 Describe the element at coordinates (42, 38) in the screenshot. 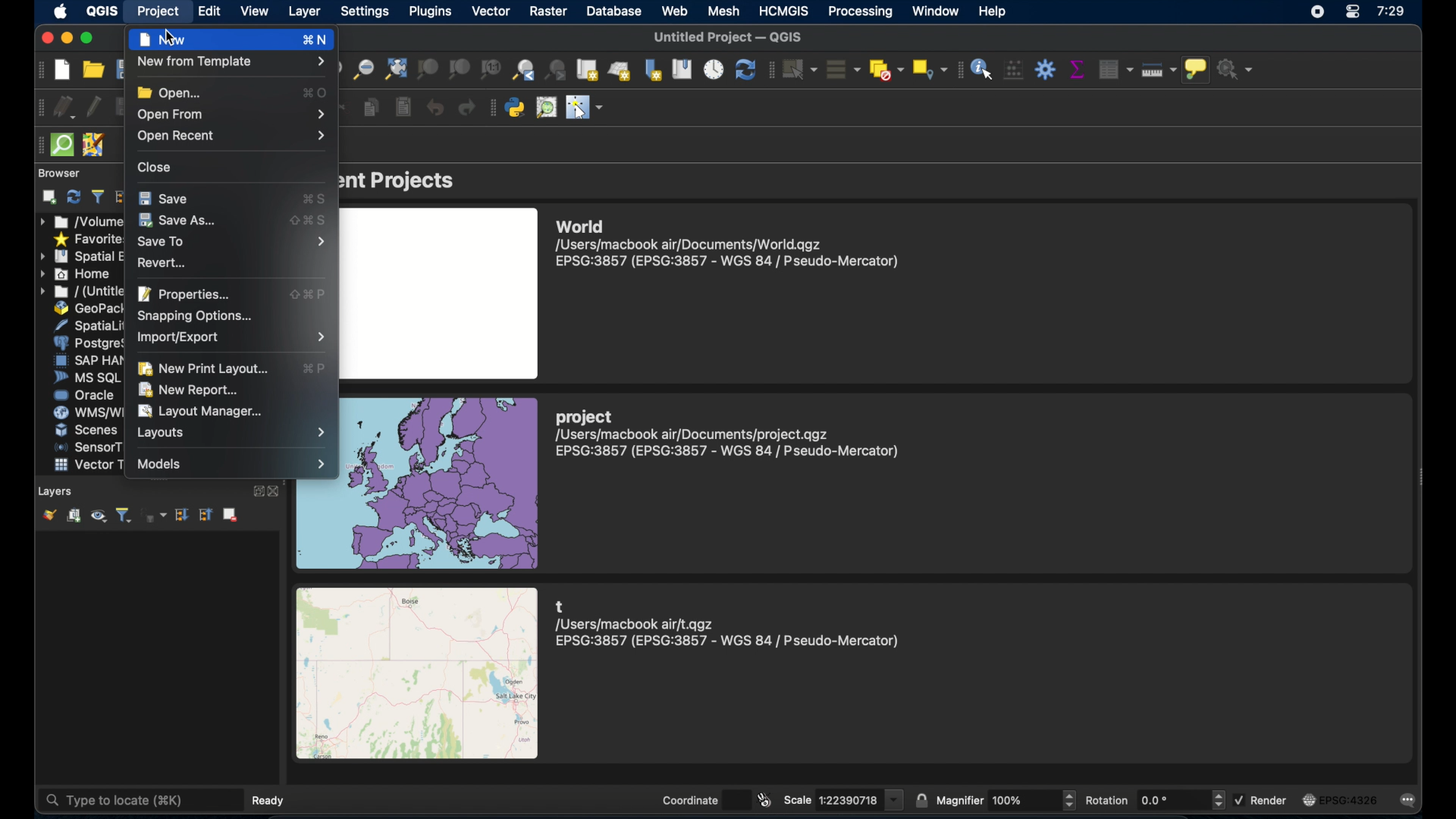

I see `close` at that location.